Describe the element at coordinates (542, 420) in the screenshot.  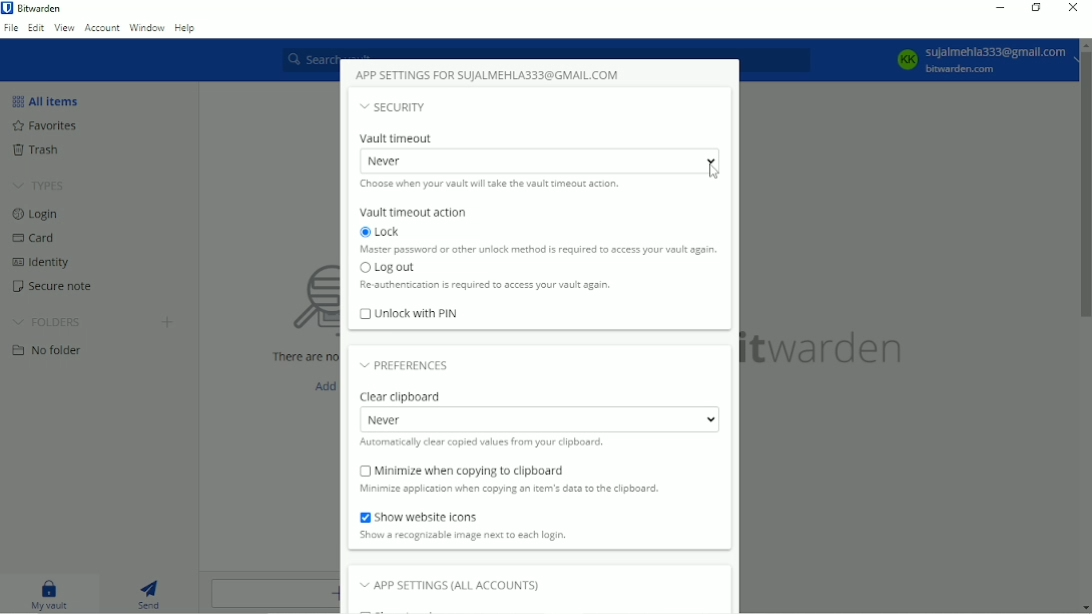
I see `Never` at that location.